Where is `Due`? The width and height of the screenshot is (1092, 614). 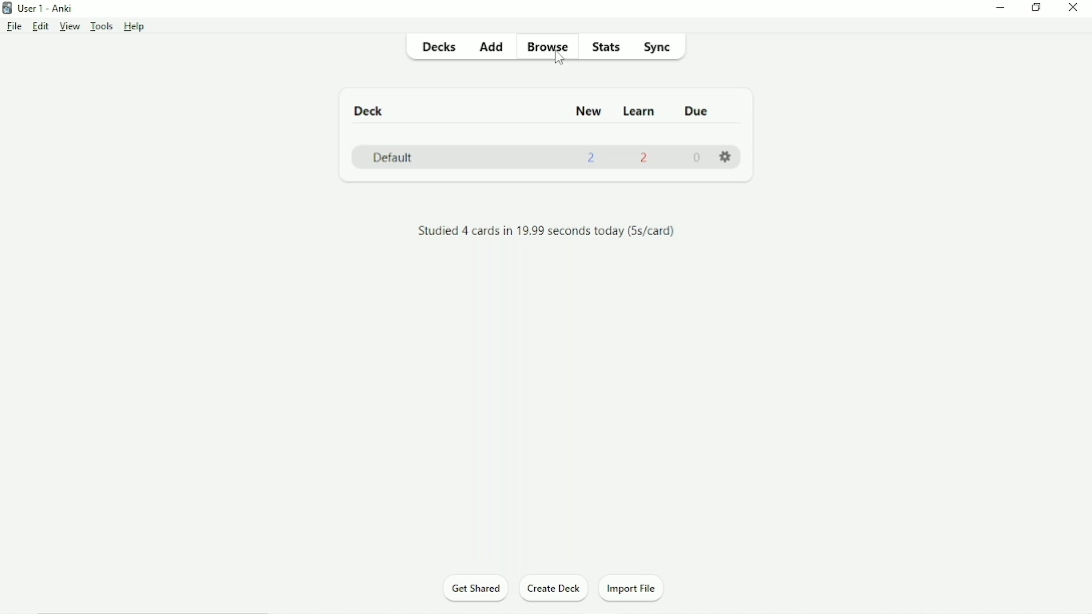 Due is located at coordinates (698, 111).